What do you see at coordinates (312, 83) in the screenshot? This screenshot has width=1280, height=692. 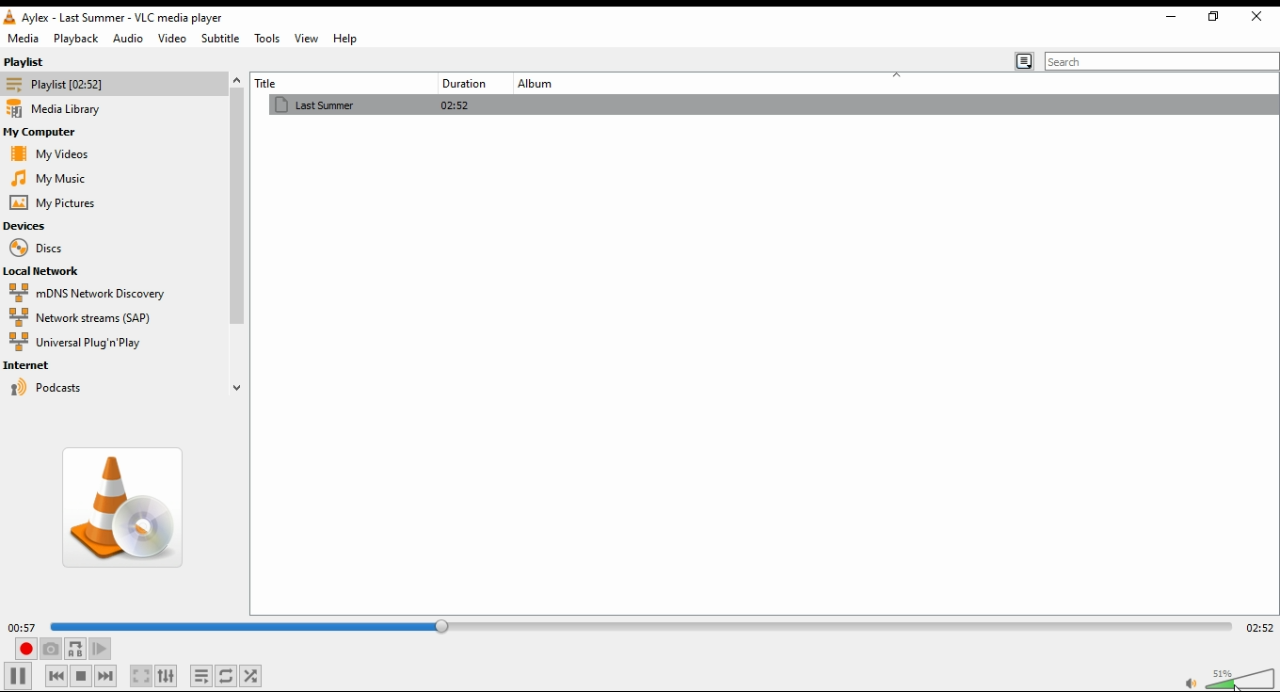 I see `title` at bounding box center [312, 83].